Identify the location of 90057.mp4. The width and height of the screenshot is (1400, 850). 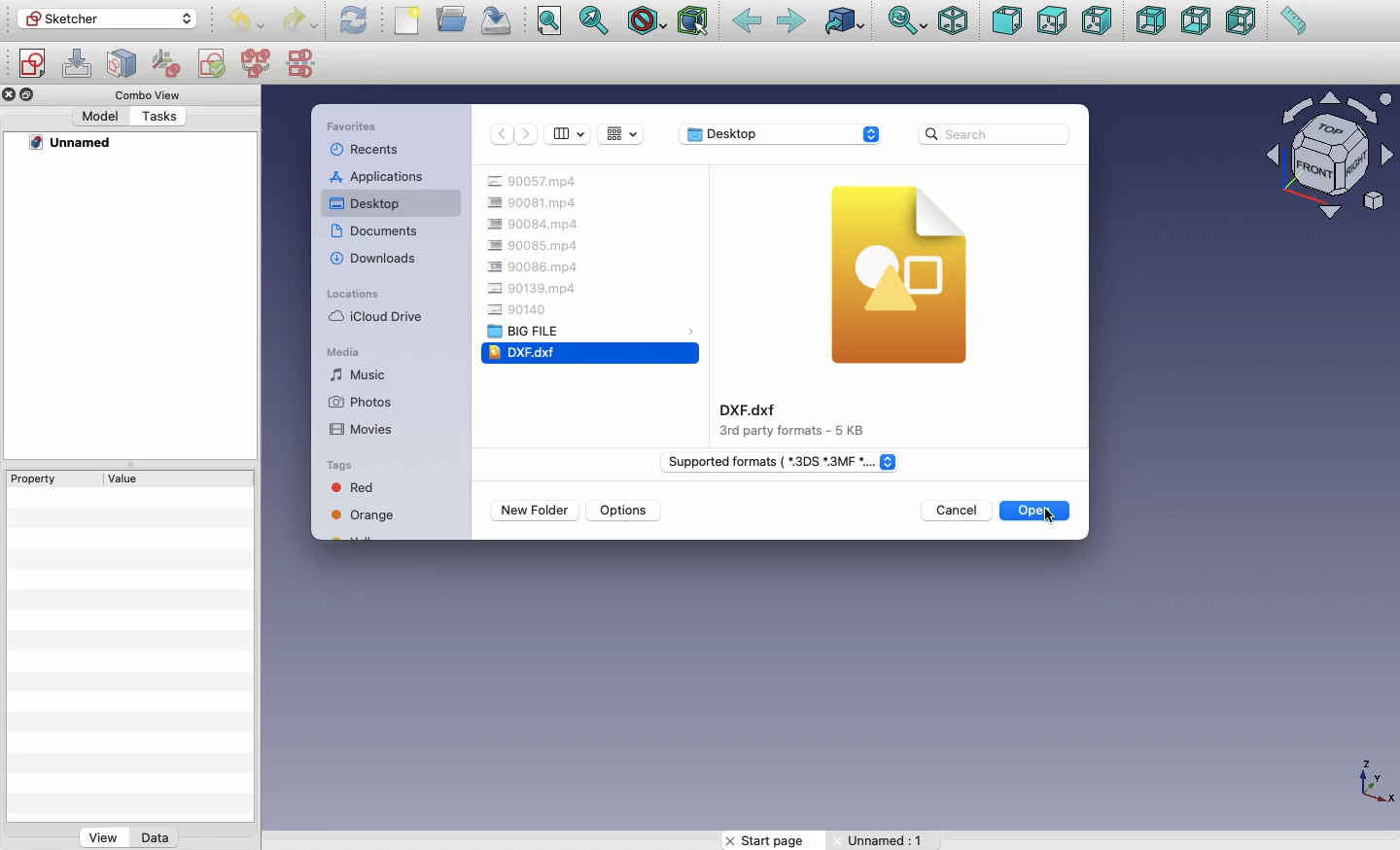
(537, 183).